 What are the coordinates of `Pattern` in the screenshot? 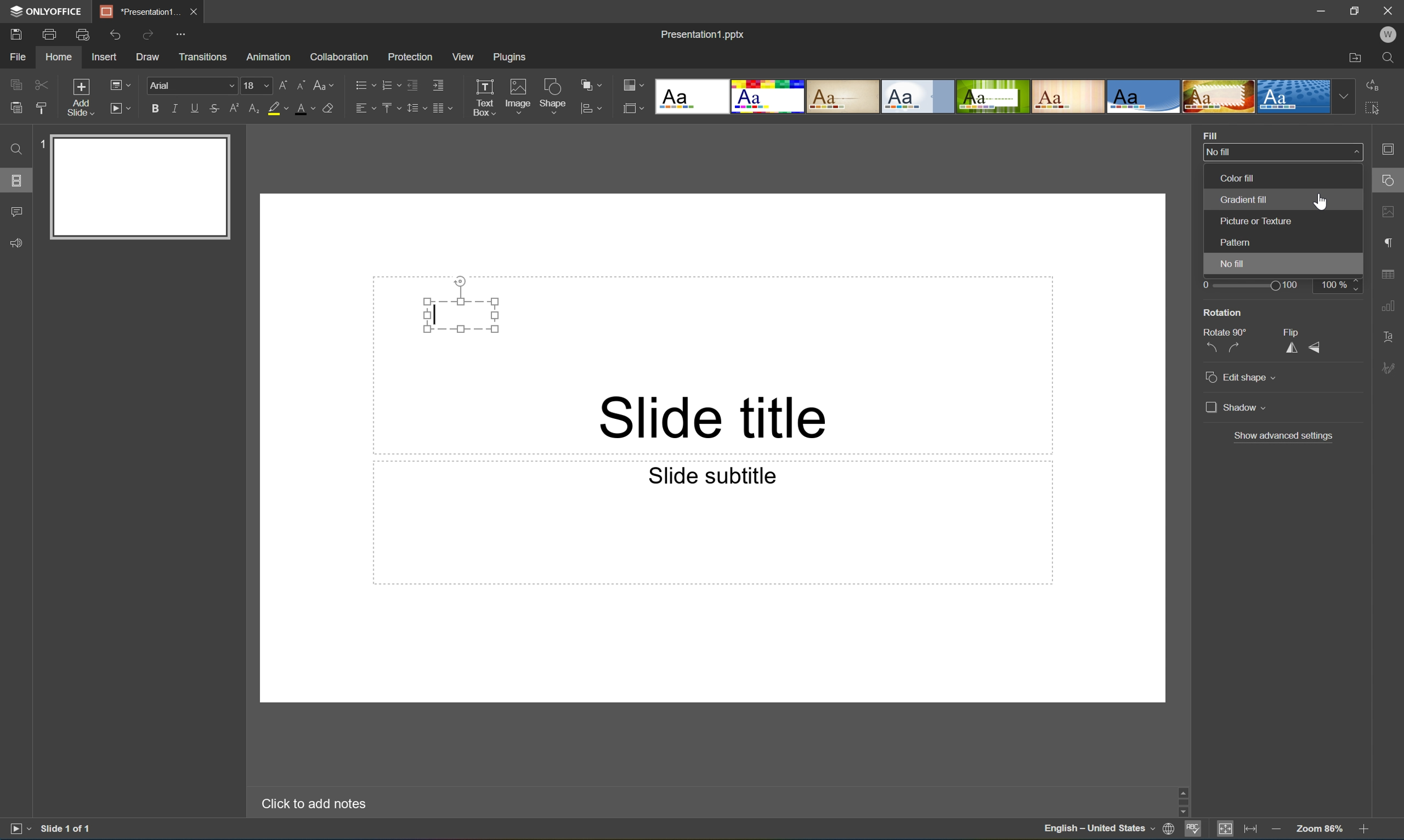 It's located at (1238, 242).